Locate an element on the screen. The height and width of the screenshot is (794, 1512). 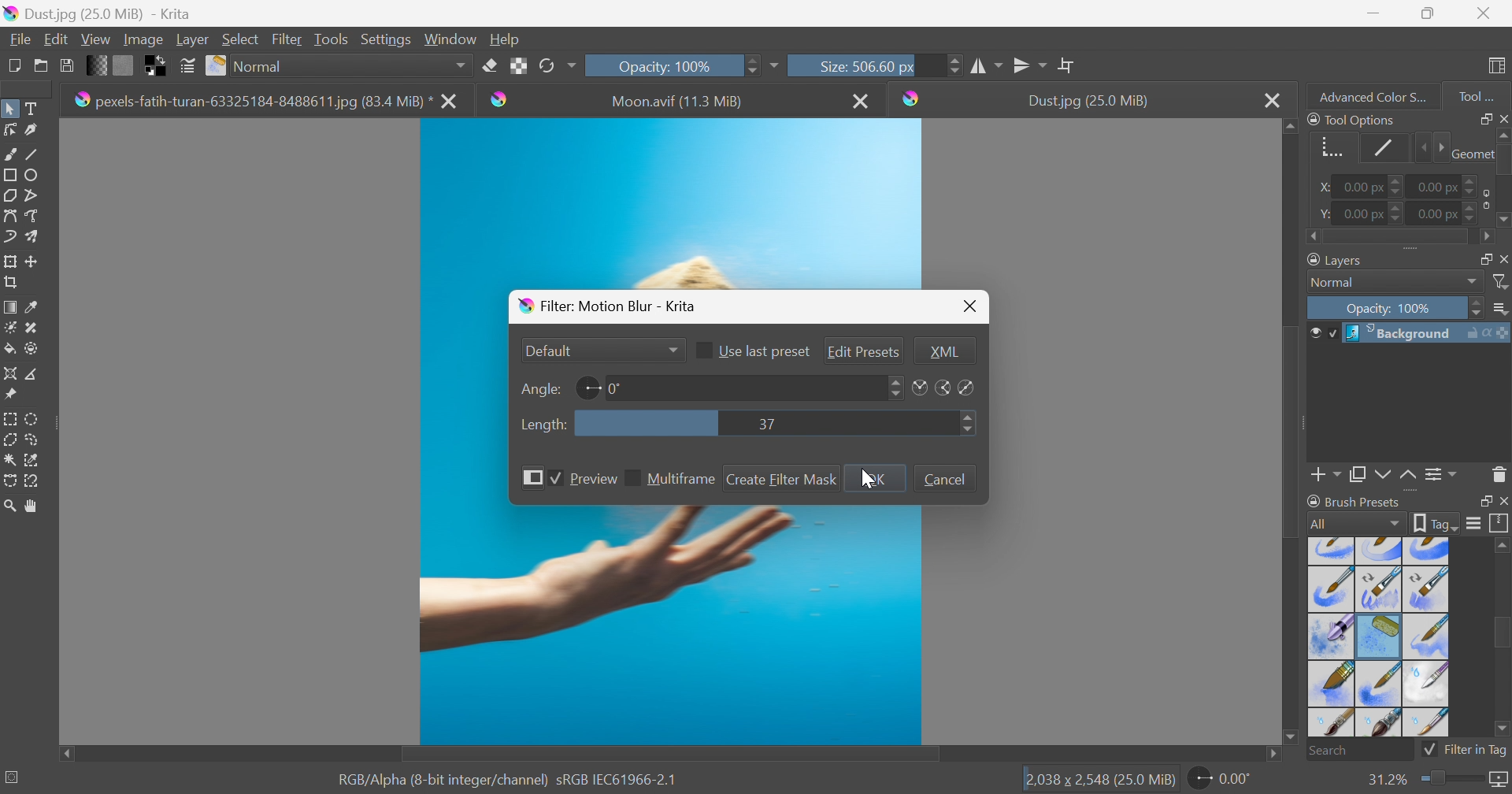
Size: 506.60 px is located at coordinates (841, 65).